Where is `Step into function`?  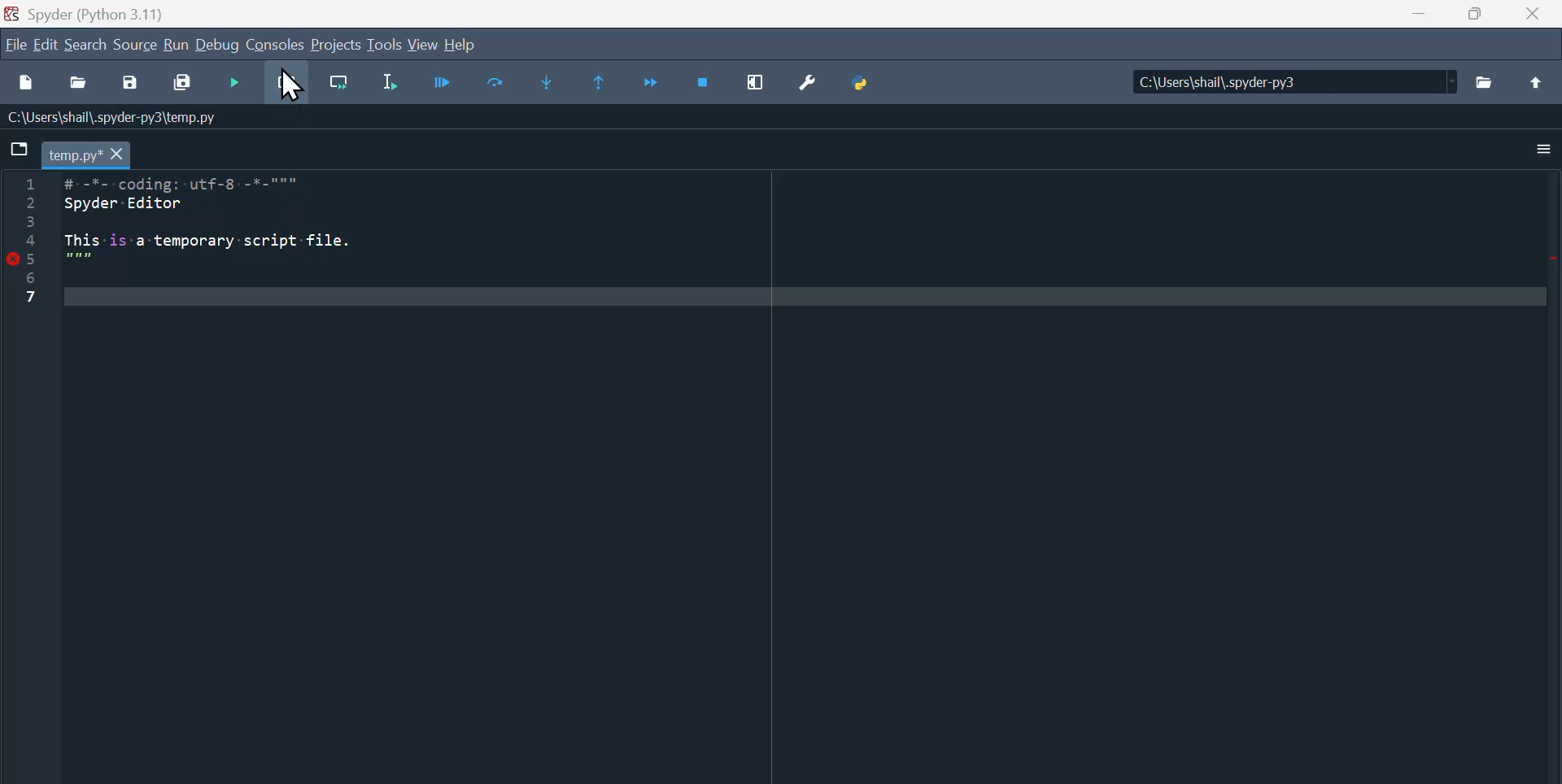 Step into function is located at coordinates (548, 84).